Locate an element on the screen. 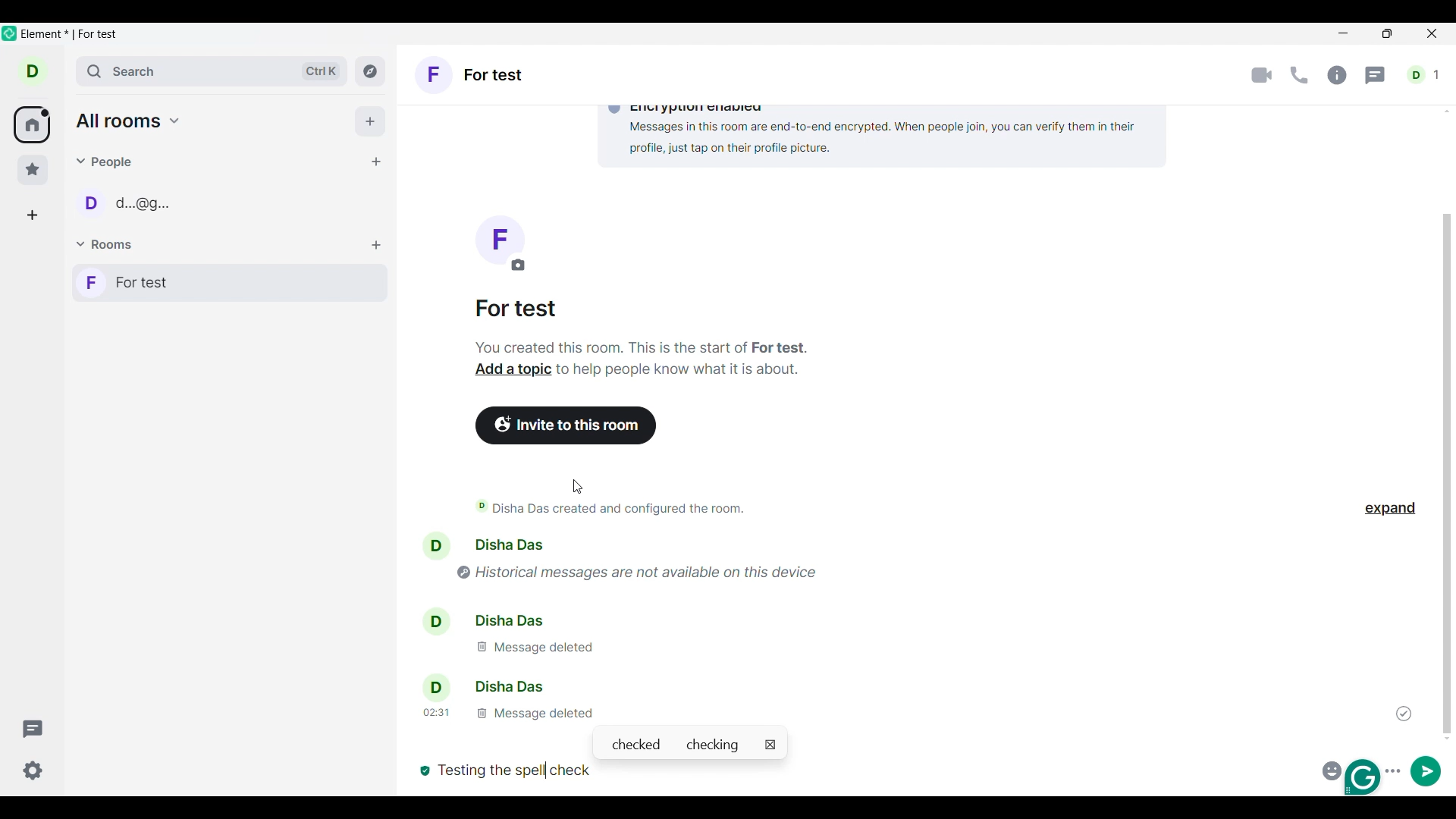 The height and width of the screenshot is (819, 1456). Vertical slide bar is located at coordinates (1447, 474).